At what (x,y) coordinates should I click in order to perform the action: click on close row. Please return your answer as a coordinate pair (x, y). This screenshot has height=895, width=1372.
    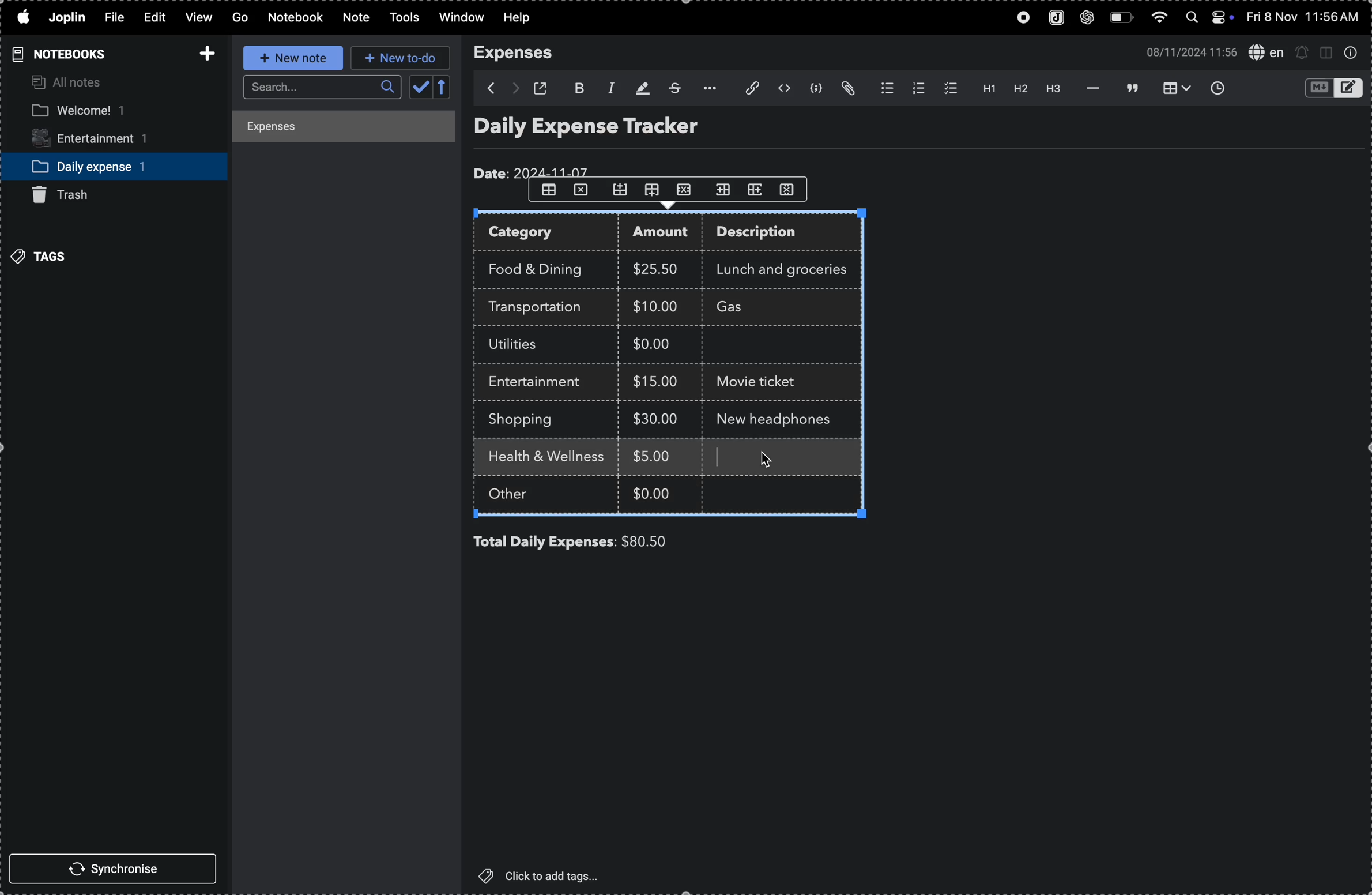
    Looking at the image, I should click on (582, 193).